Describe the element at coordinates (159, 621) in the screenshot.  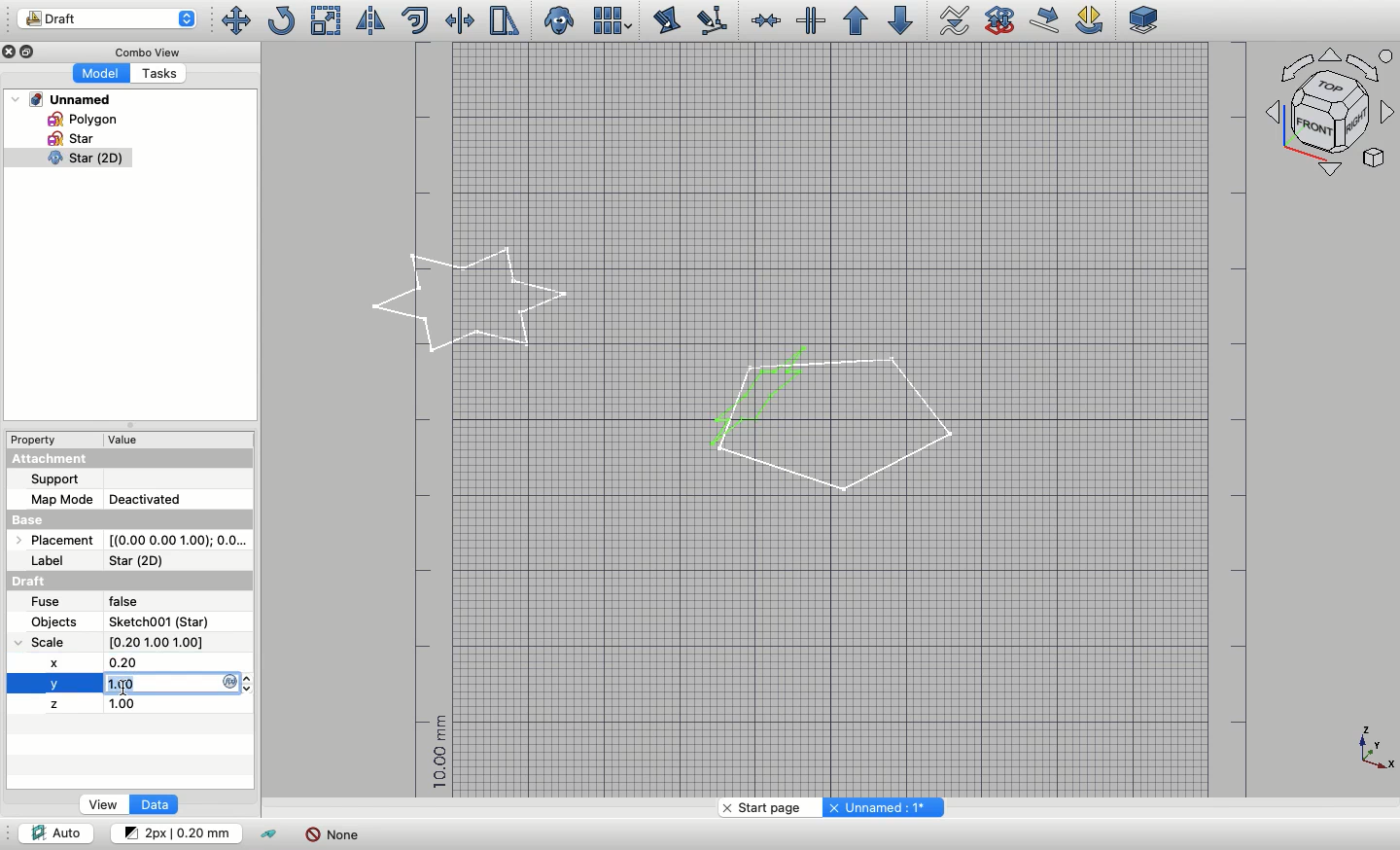
I see `Sketch001 (Star)` at that location.